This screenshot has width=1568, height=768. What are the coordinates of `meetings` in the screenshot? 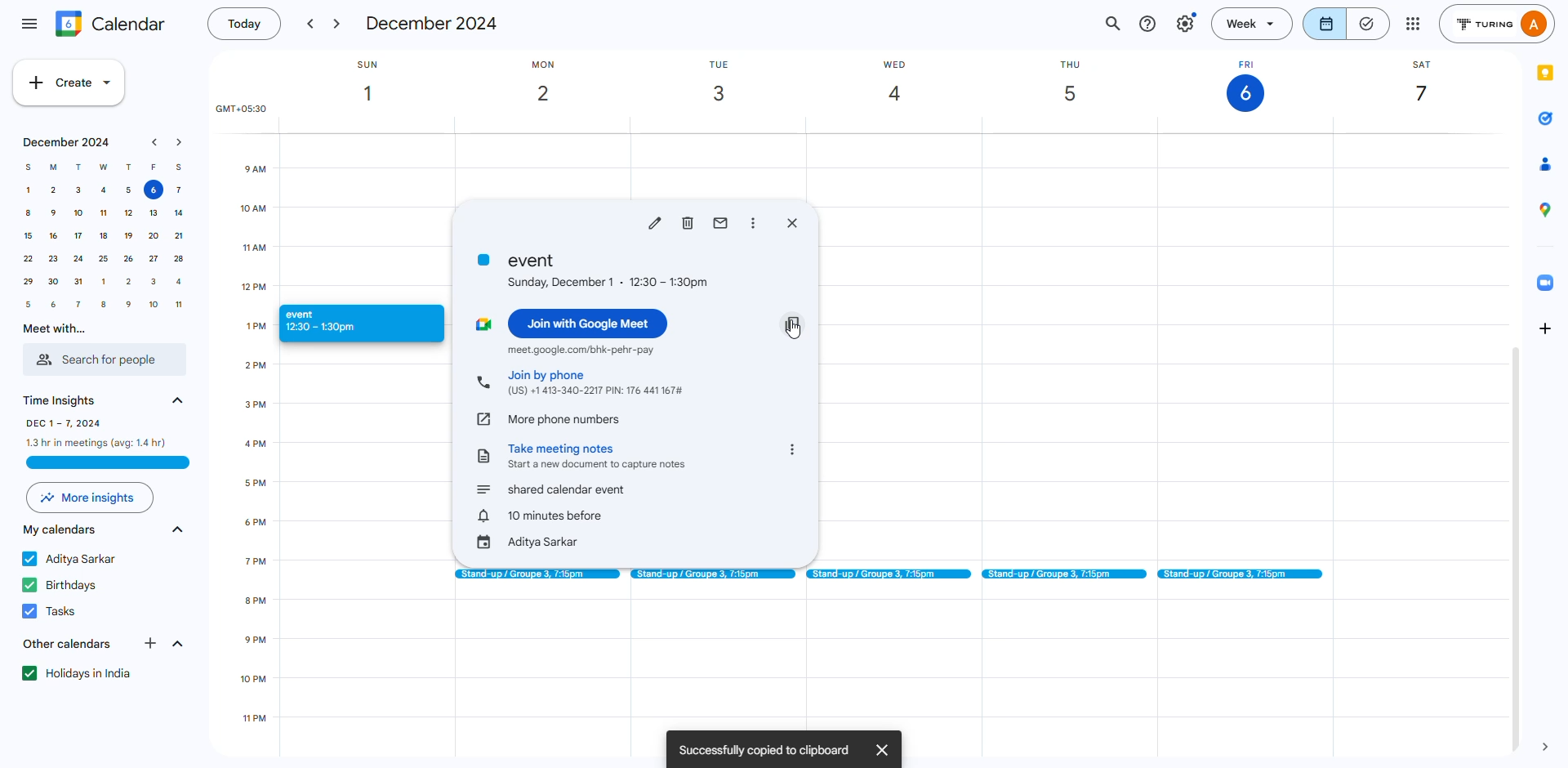 It's located at (711, 574).